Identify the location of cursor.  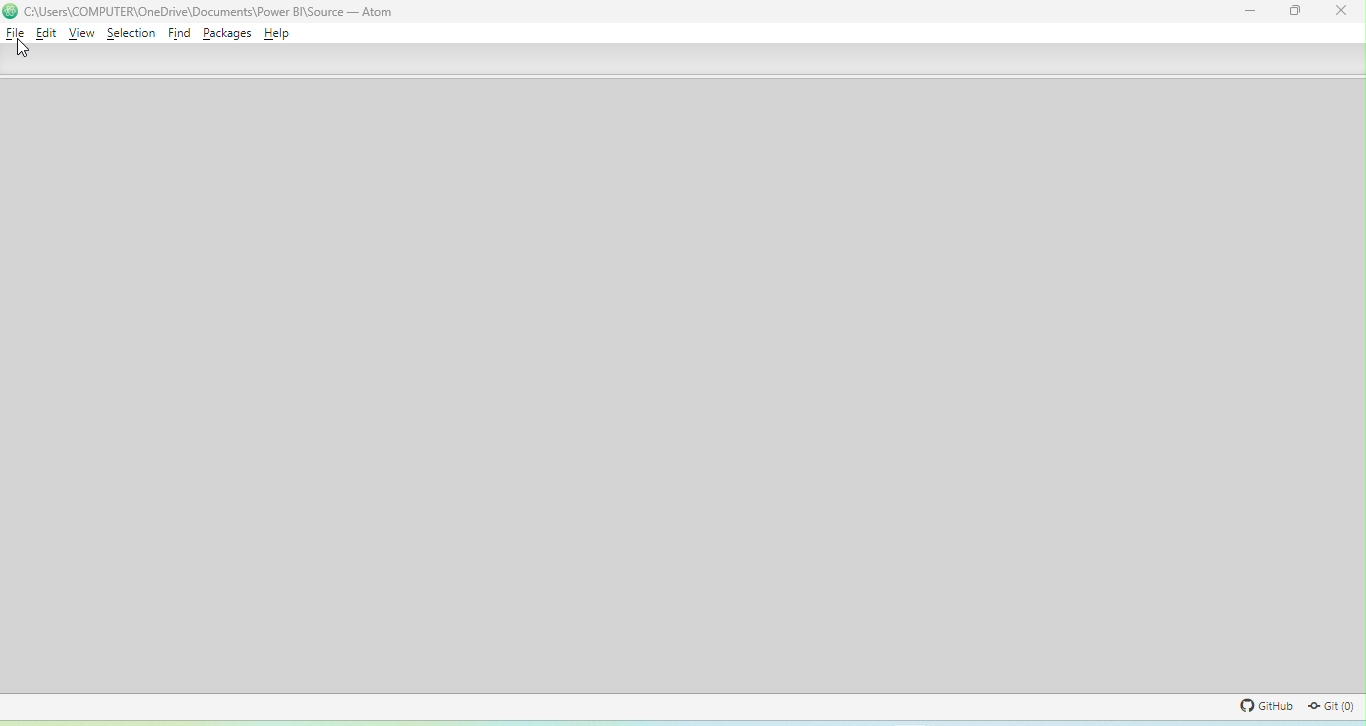
(22, 49).